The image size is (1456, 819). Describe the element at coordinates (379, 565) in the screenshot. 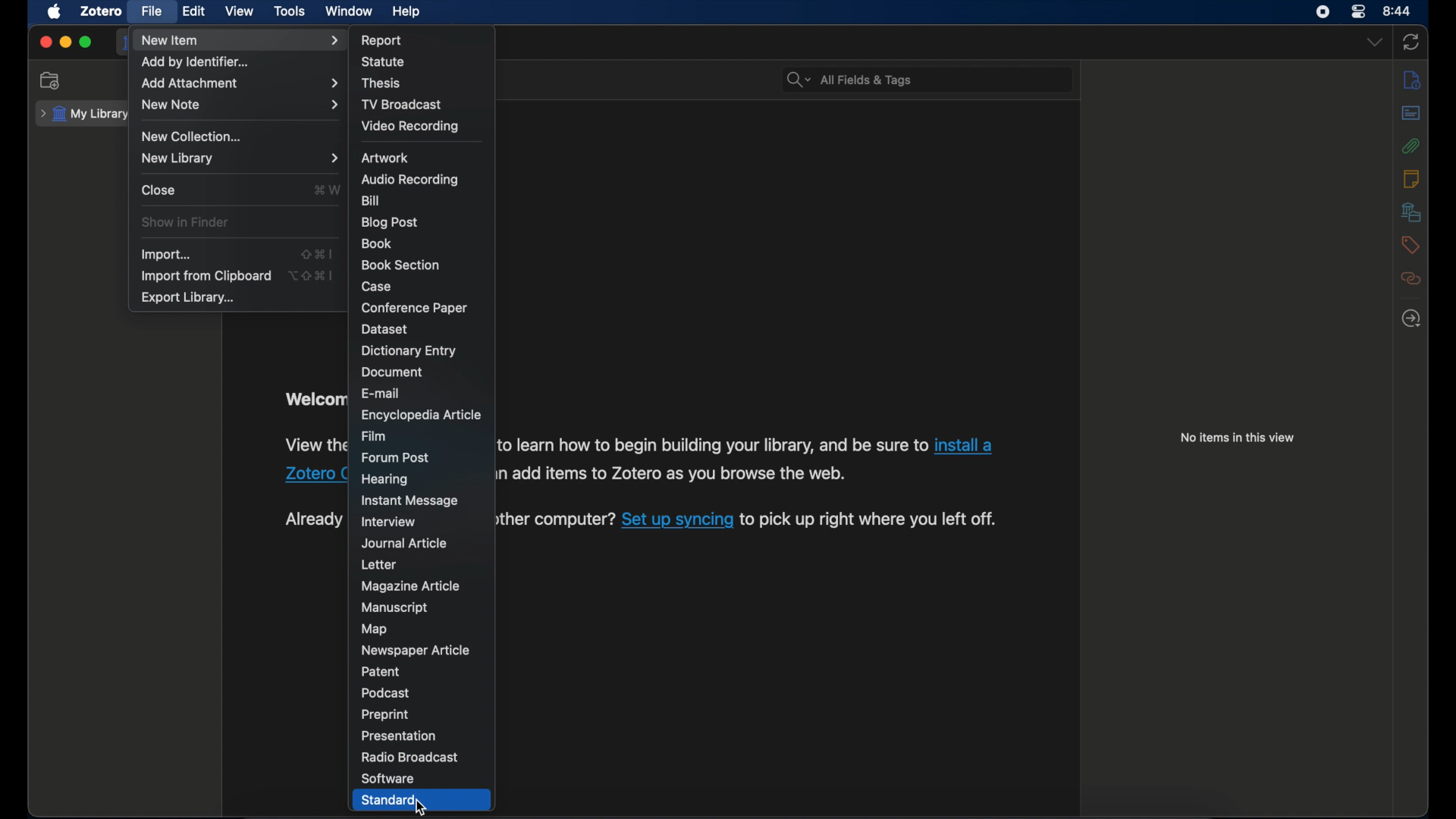

I see `letter` at that location.